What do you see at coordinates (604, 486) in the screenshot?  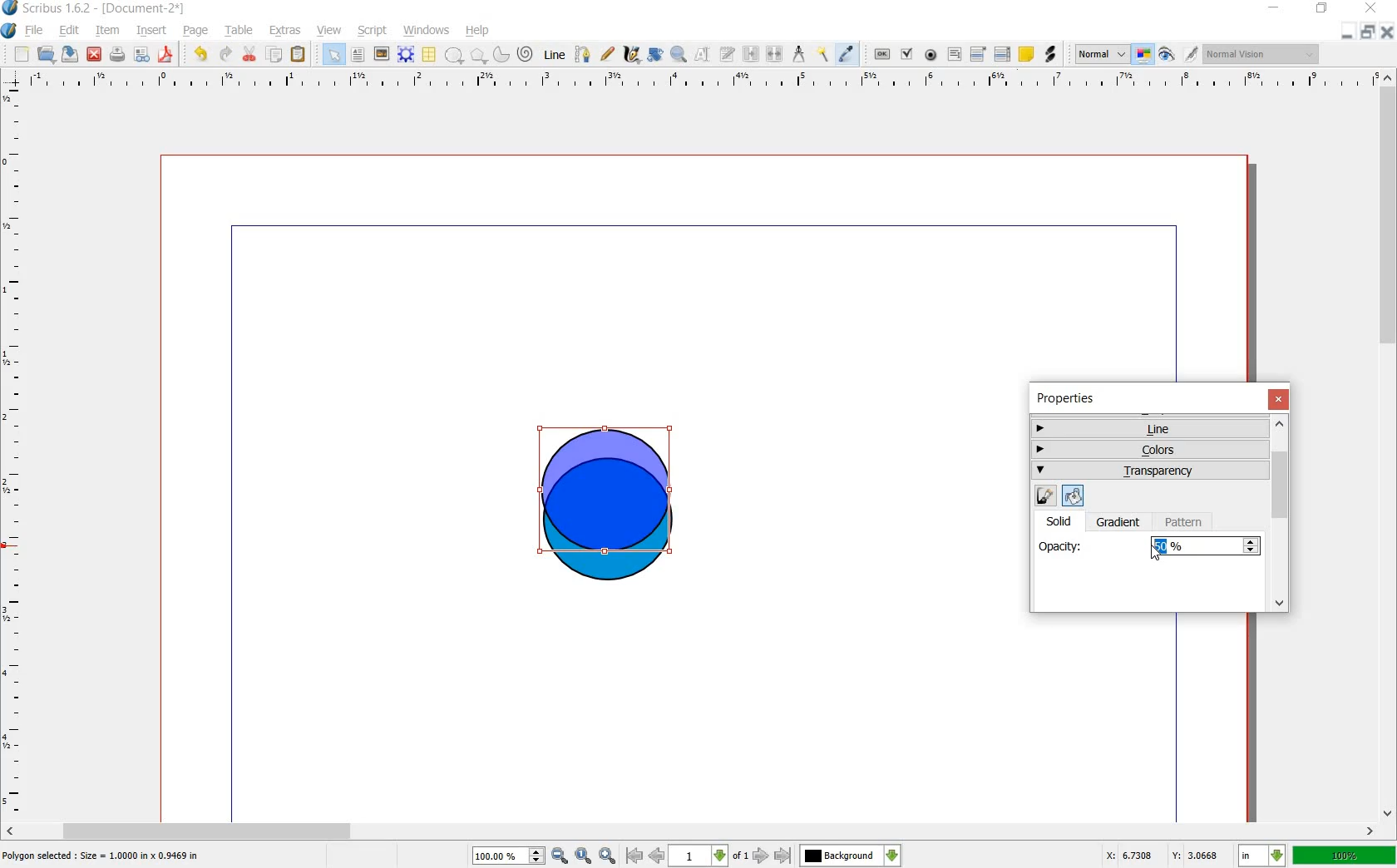 I see `overlapping color blend added` at bounding box center [604, 486].